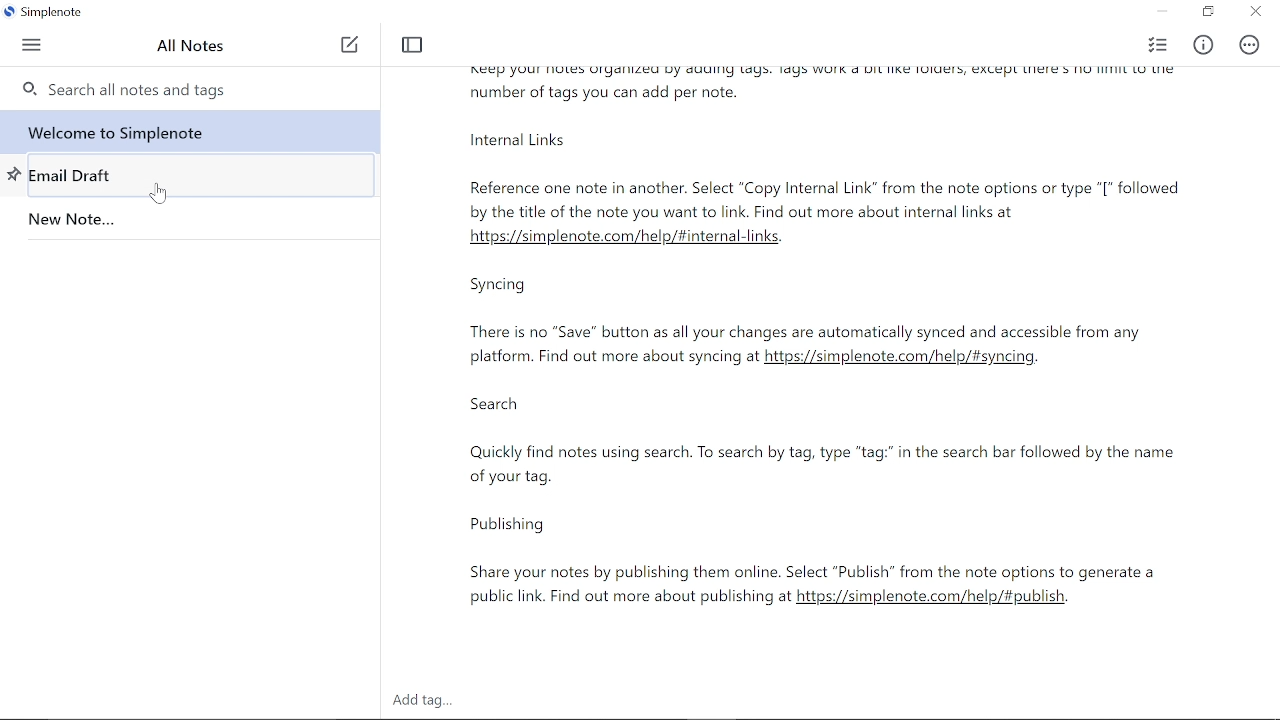 Image resolution: width=1280 pixels, height=720 pixels. What do you see at coordinates (1205, 46) in the screenshot?
I see `Info` at bounding box center [1205, 46].